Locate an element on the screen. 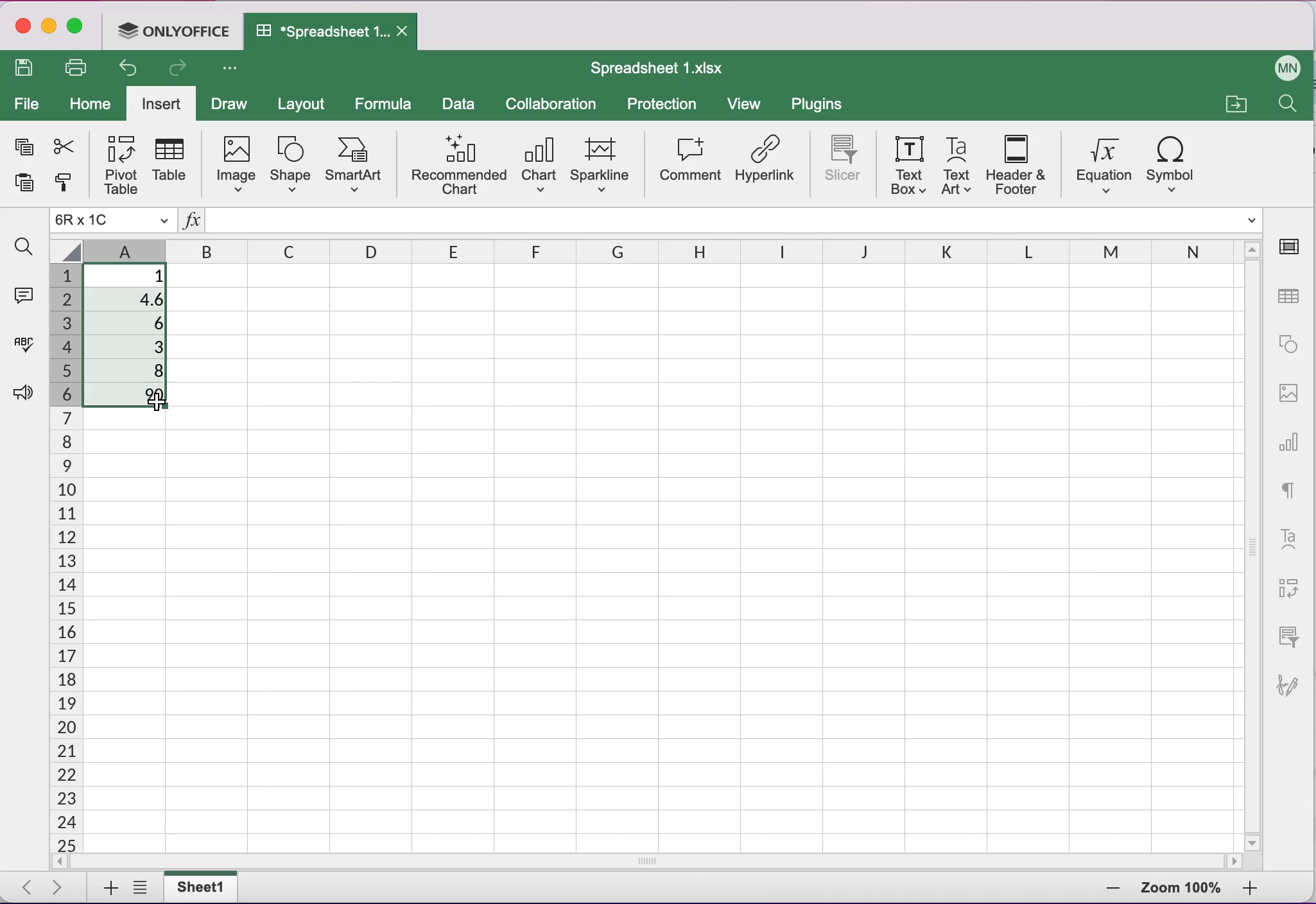  columns is located at coordinates (645, 248).